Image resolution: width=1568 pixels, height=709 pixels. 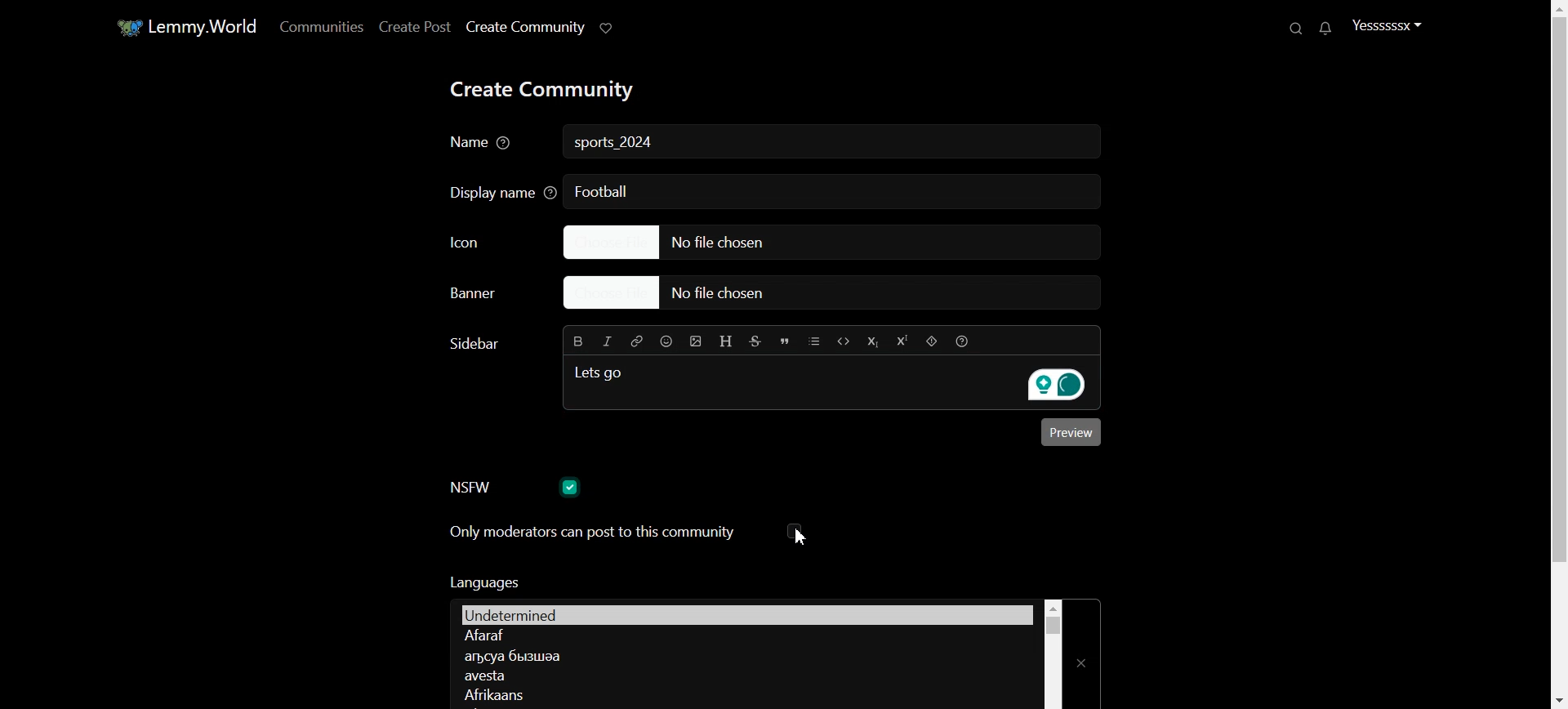 I want to click on Text, so click(x=616, y=144).